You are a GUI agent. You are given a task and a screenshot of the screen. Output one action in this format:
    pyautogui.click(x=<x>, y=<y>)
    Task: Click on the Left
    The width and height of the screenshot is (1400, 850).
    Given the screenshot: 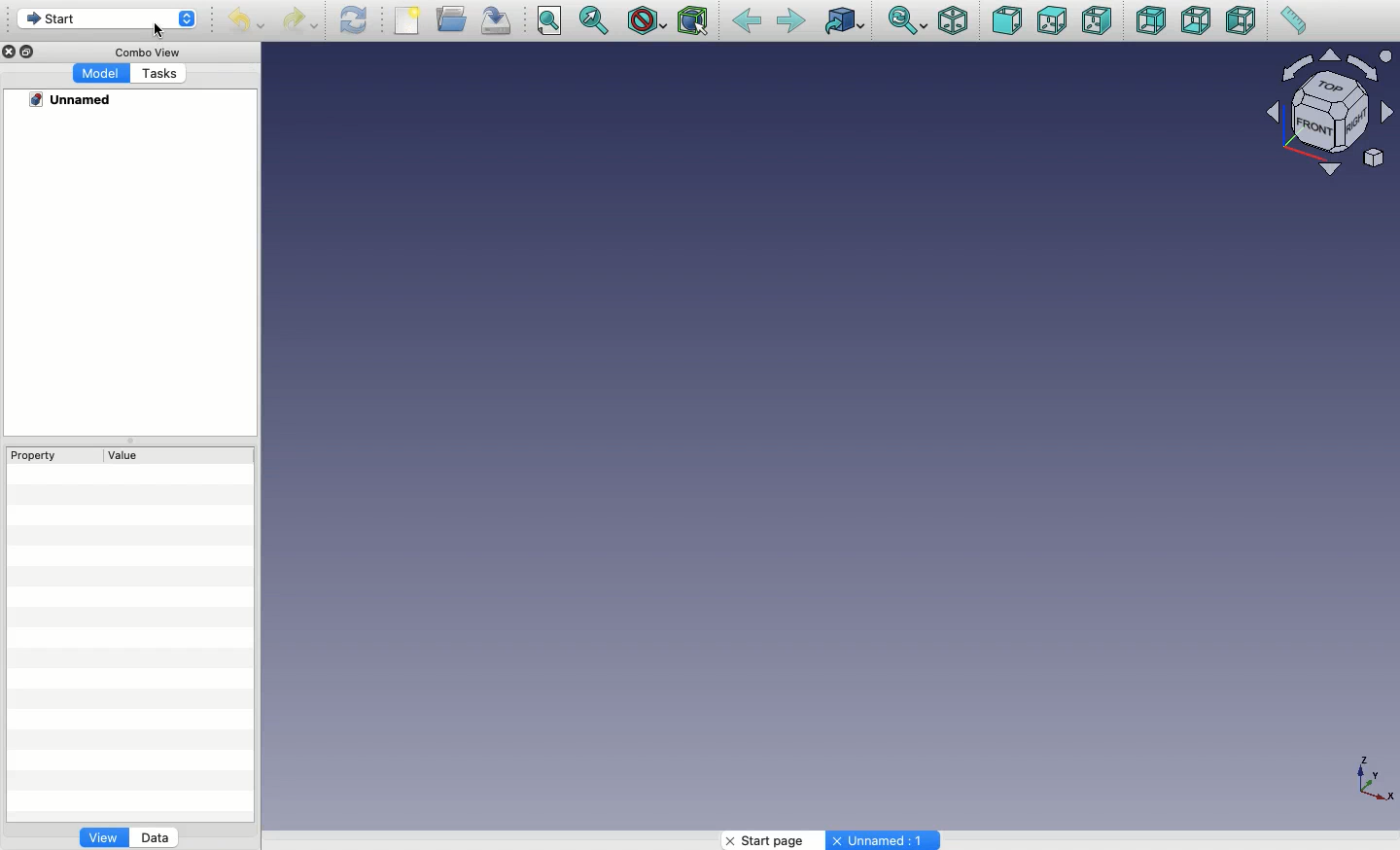 What is the action you would take?
    pyautogui.click(x=1242, y=22)
    